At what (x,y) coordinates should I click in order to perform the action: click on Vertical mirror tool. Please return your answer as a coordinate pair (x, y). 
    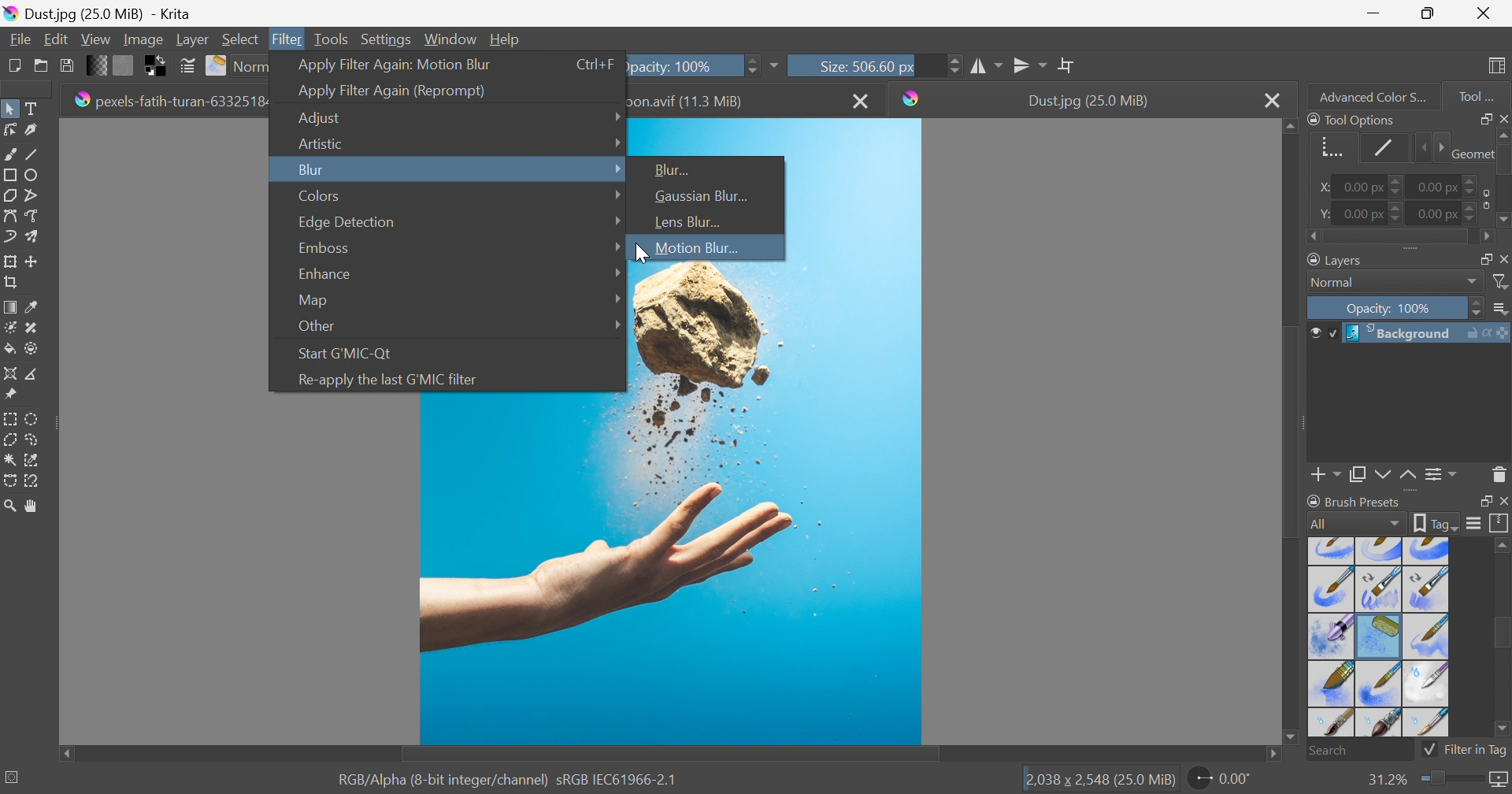
    Looking at the image, I should click on (988, 64).